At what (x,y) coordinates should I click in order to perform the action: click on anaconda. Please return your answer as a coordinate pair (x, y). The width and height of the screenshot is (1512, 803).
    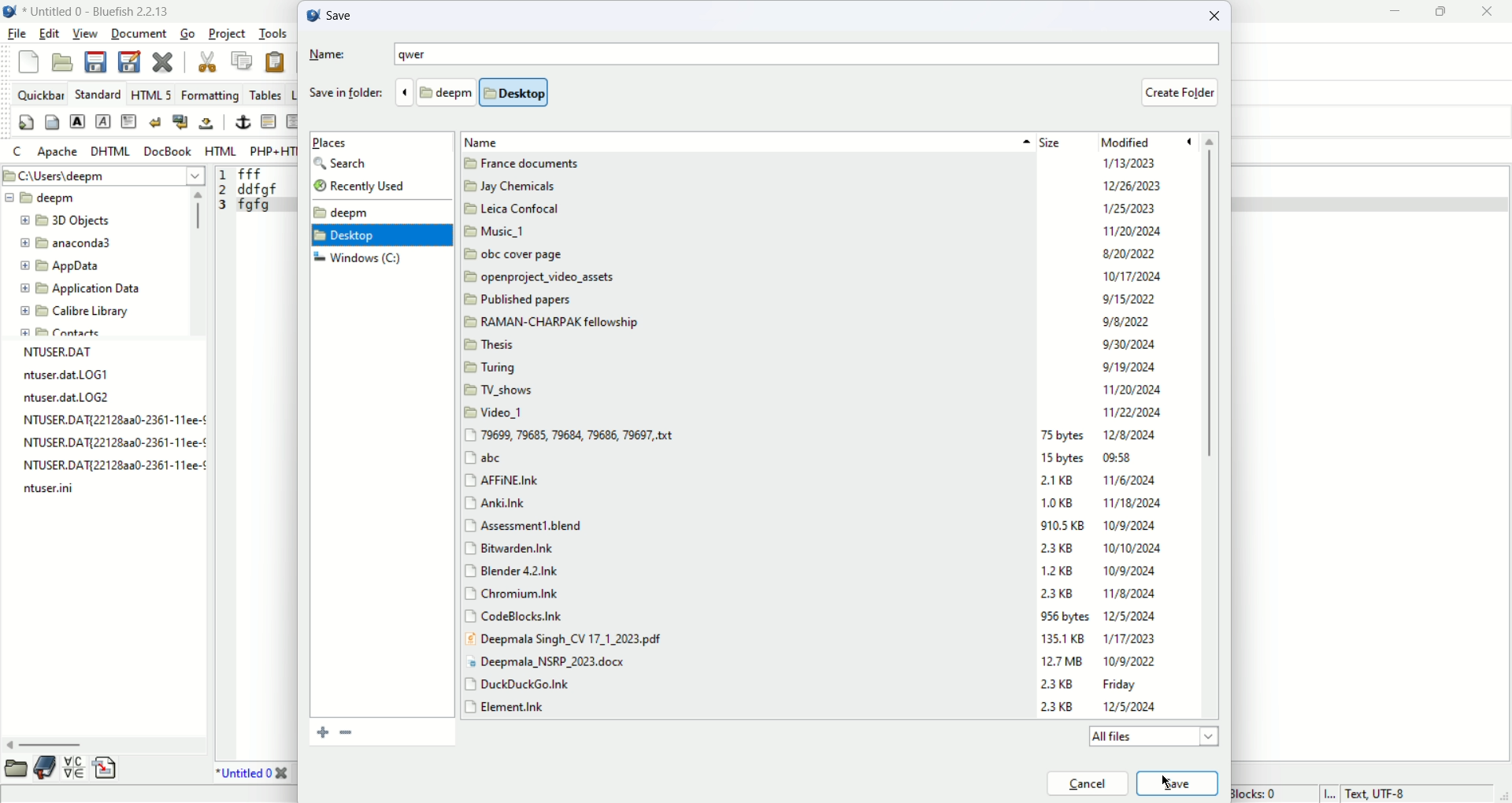
    Looking at the image, I should click on (66, 244).